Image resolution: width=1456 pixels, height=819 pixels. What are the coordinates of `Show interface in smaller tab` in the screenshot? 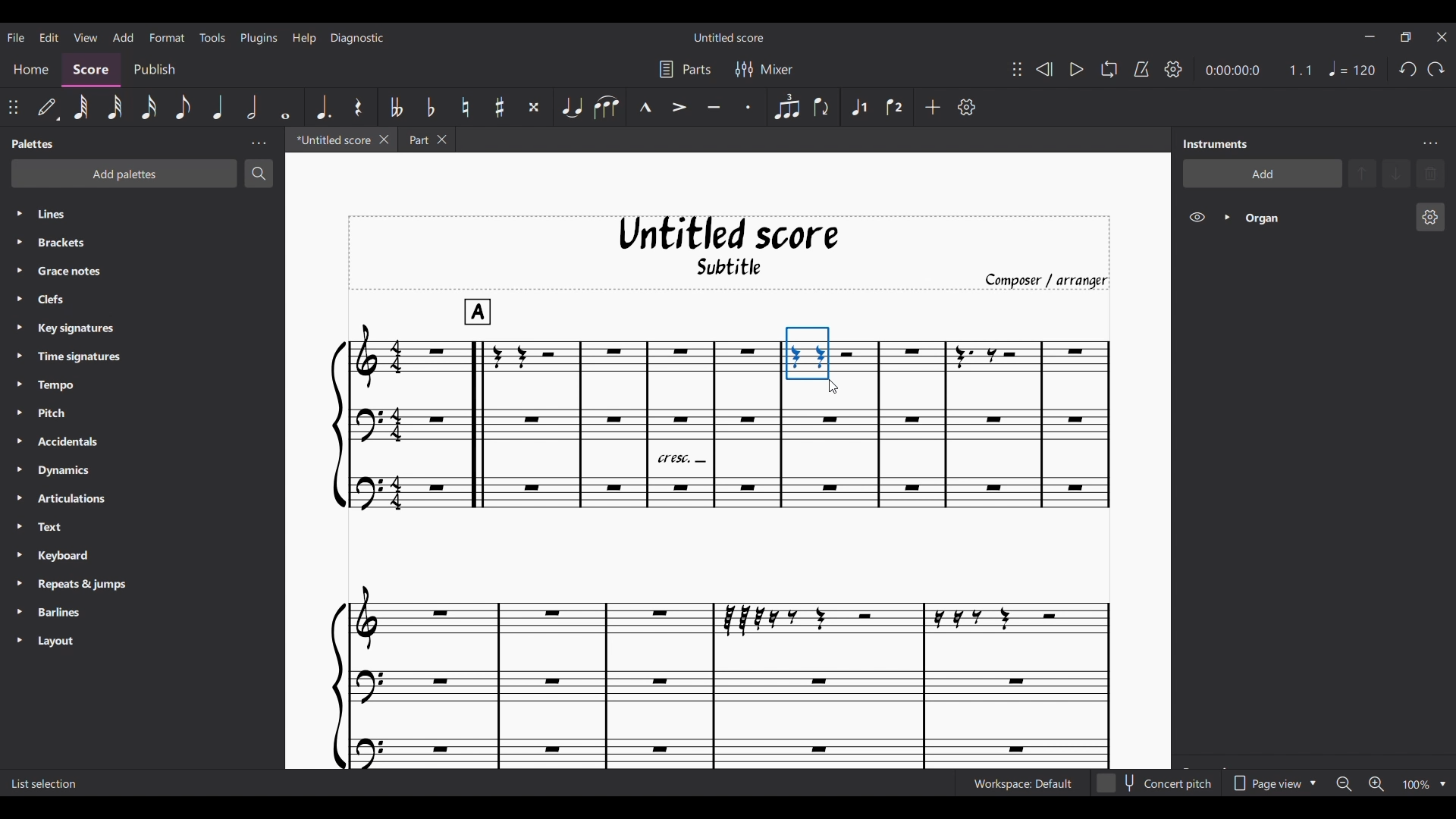 It's located at (1406, 37).